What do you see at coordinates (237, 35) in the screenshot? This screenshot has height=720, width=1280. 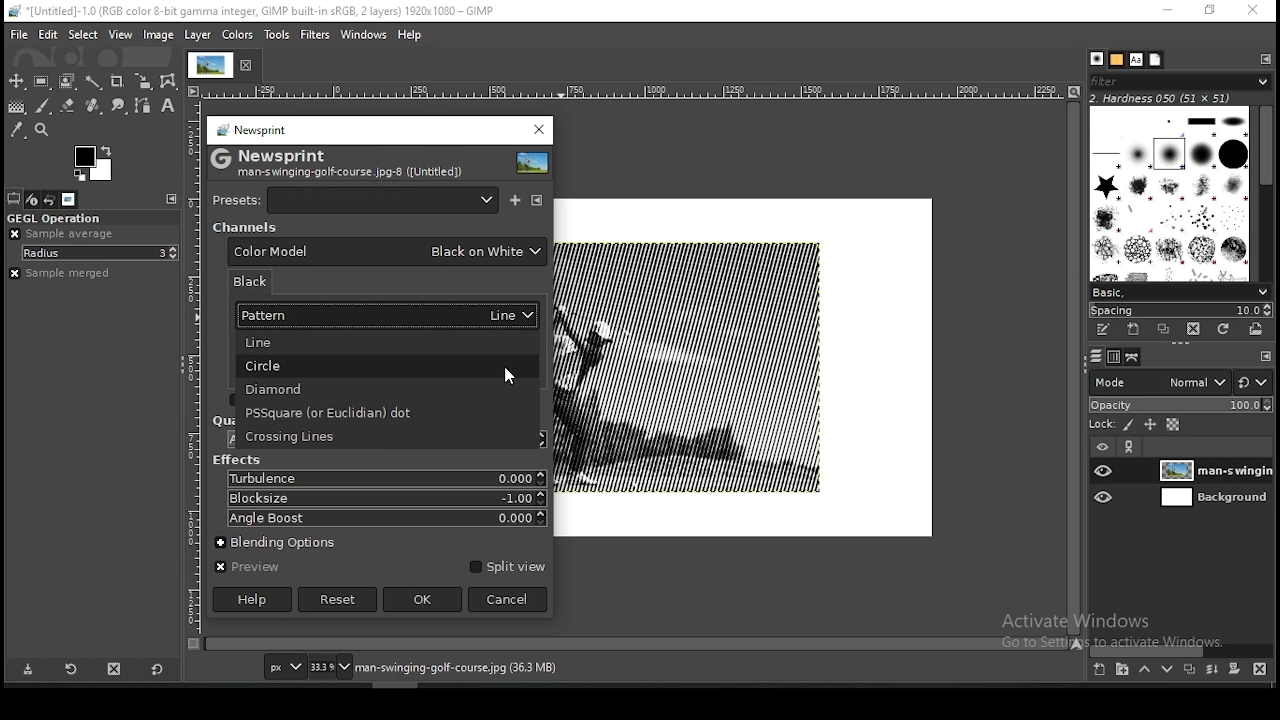 I see `colors` at bounding box center [237, 35].